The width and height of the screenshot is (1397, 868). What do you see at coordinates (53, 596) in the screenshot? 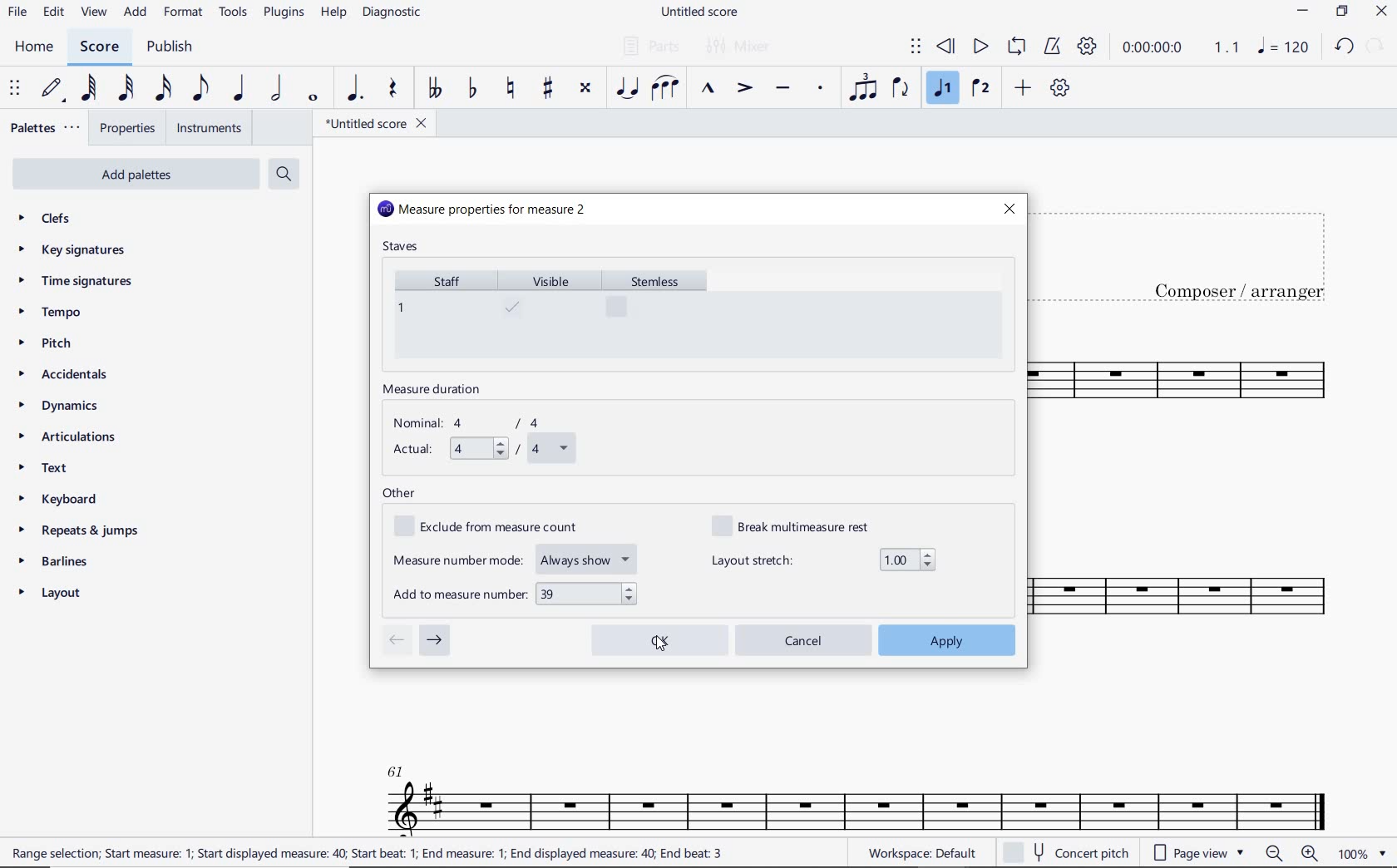
I see `LAYOUT` at bounding box center [53, 596].